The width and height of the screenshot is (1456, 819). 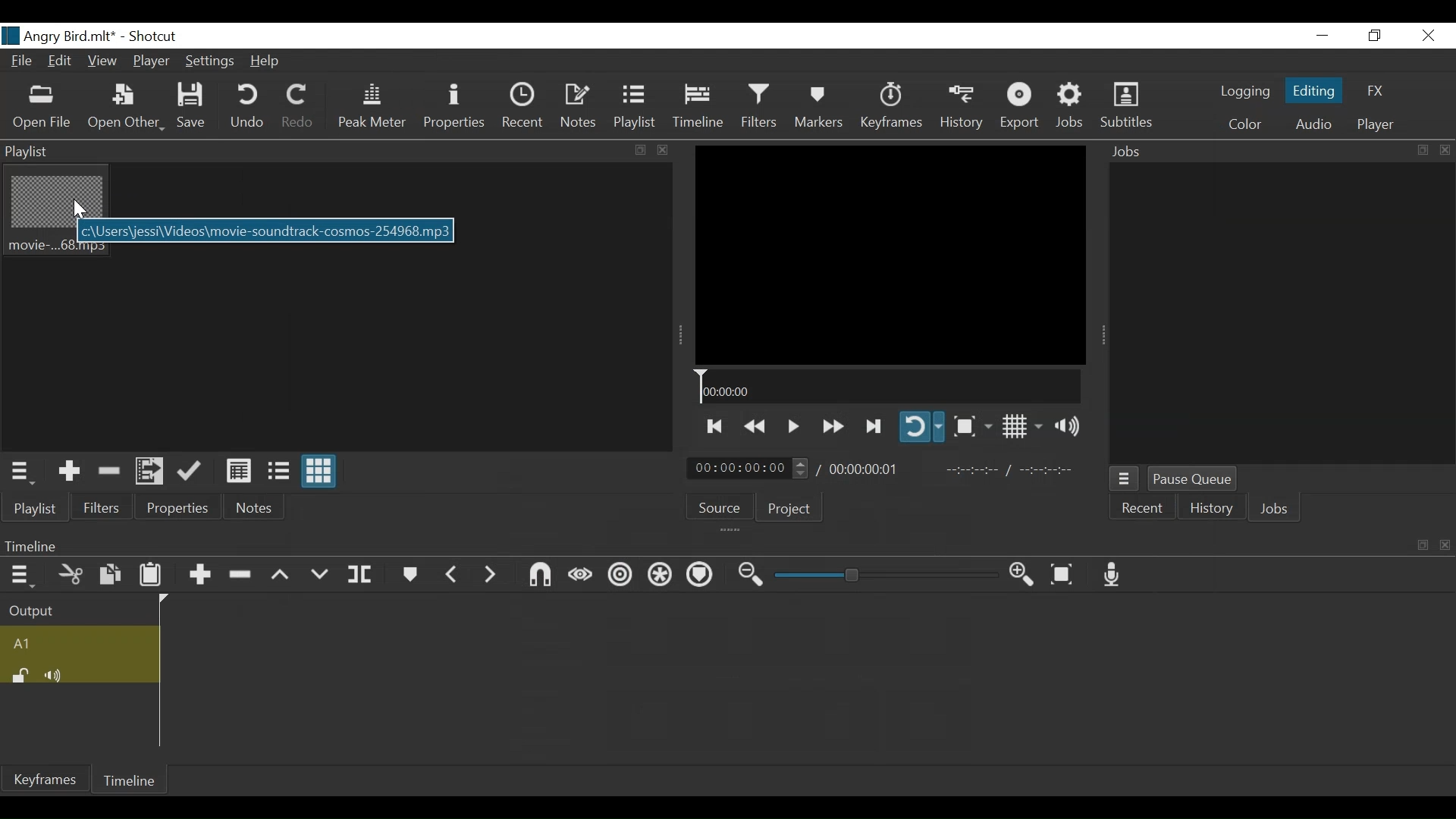 I want to click on Ripple markers, so click(x=701, y=574).